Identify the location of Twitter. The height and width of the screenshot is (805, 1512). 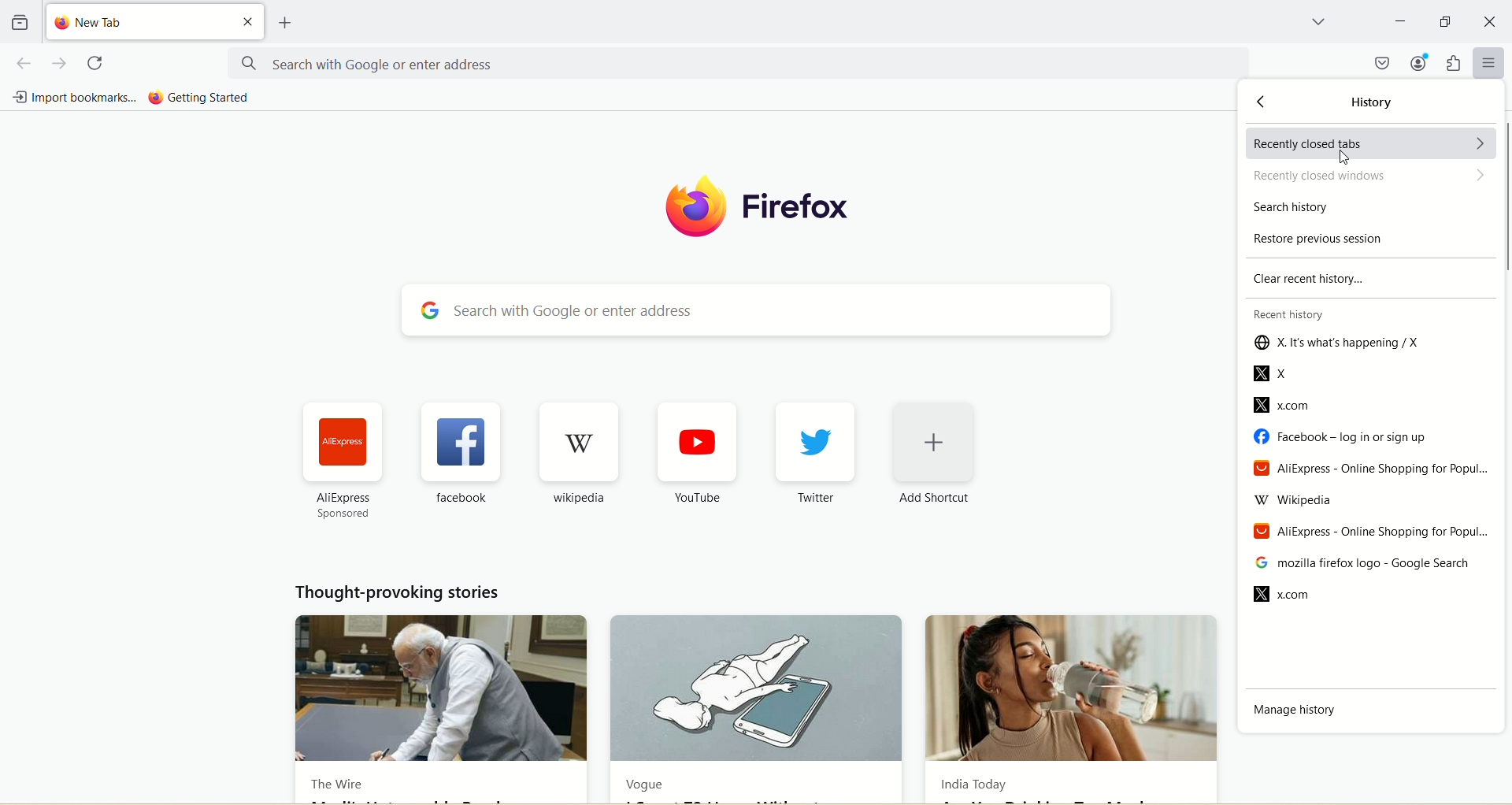
(814, 498).